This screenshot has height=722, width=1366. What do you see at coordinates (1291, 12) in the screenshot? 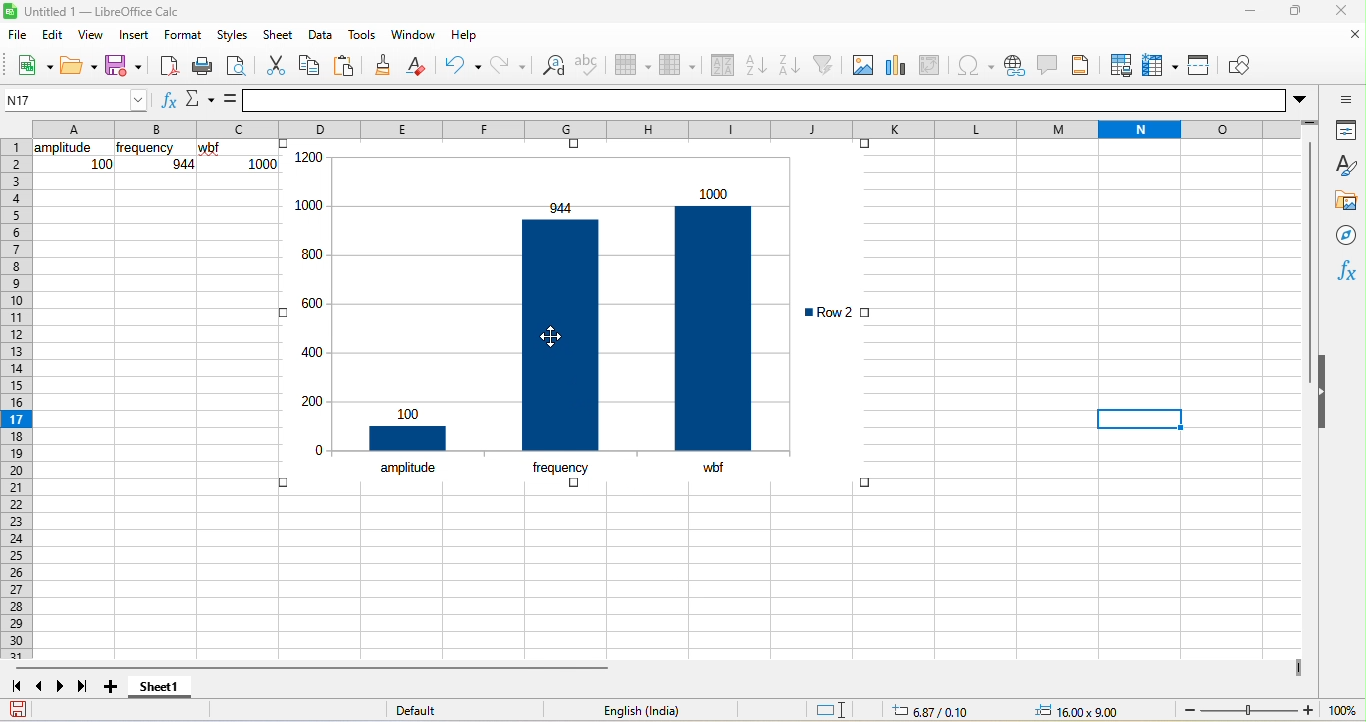
I see `maximize` at bounding box center [1291, 12].